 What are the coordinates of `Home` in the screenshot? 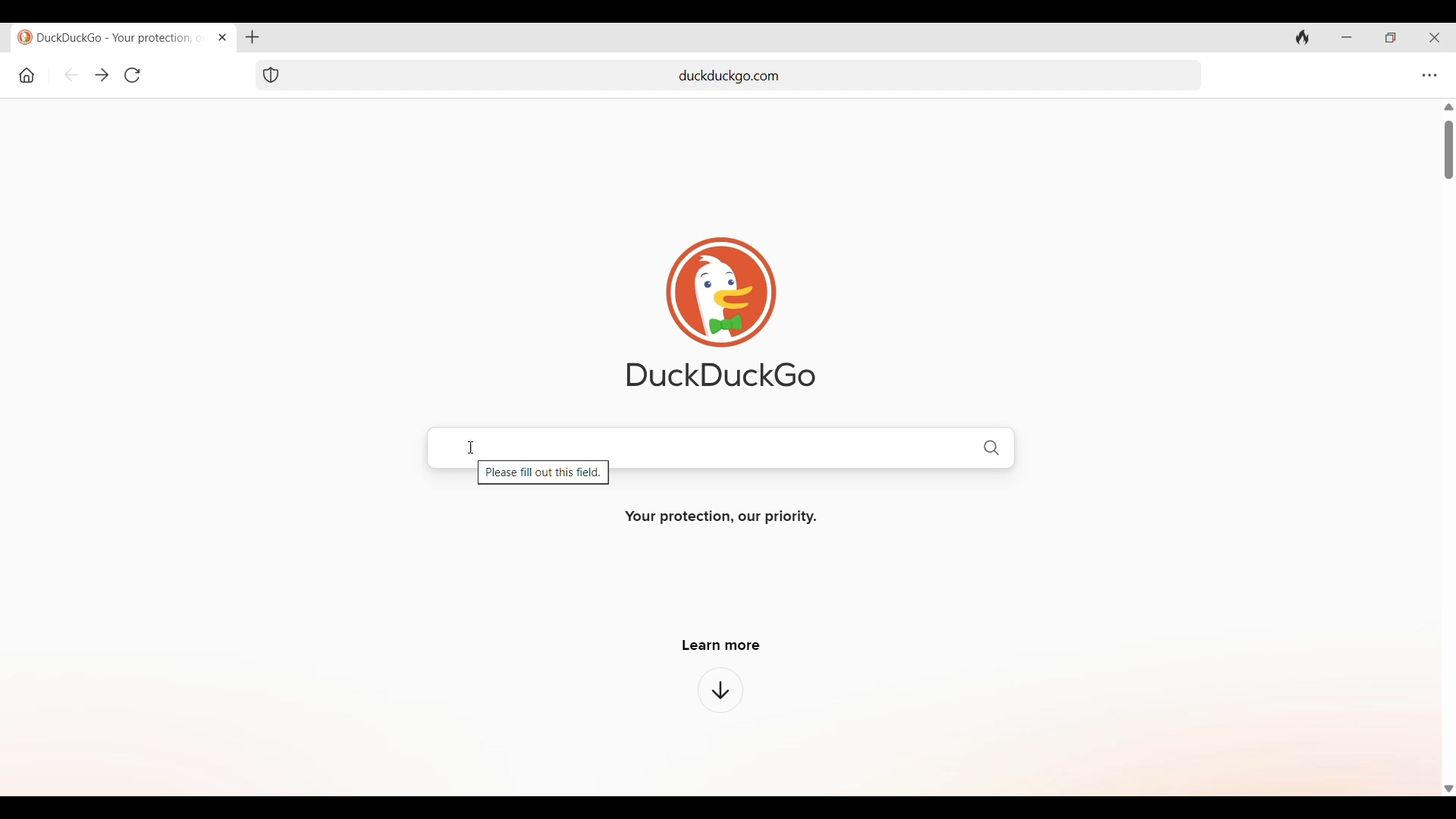 It's located at (27, 75).